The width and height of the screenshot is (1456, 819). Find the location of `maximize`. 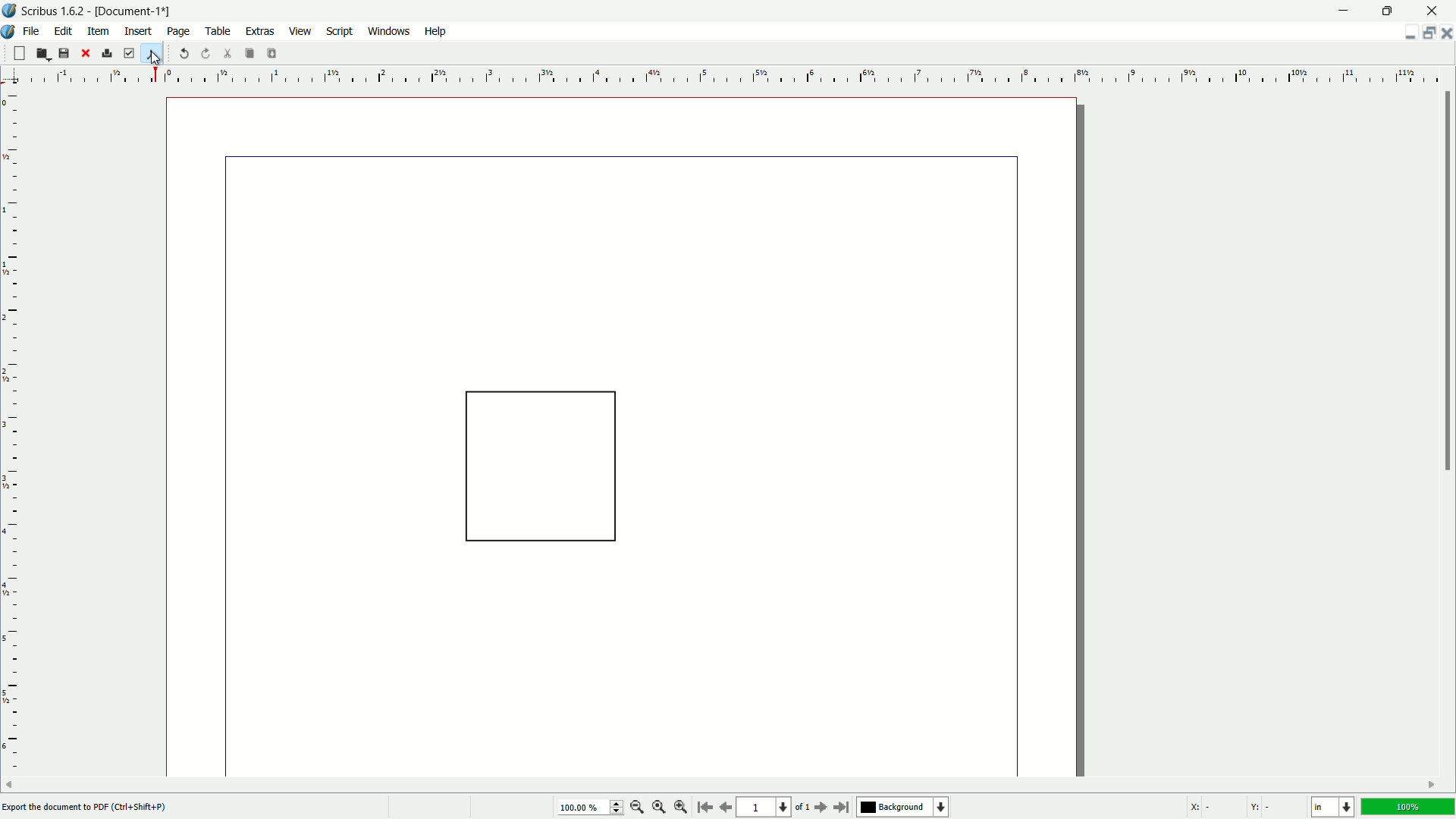

maximize is located at coordinates (1385, 11).